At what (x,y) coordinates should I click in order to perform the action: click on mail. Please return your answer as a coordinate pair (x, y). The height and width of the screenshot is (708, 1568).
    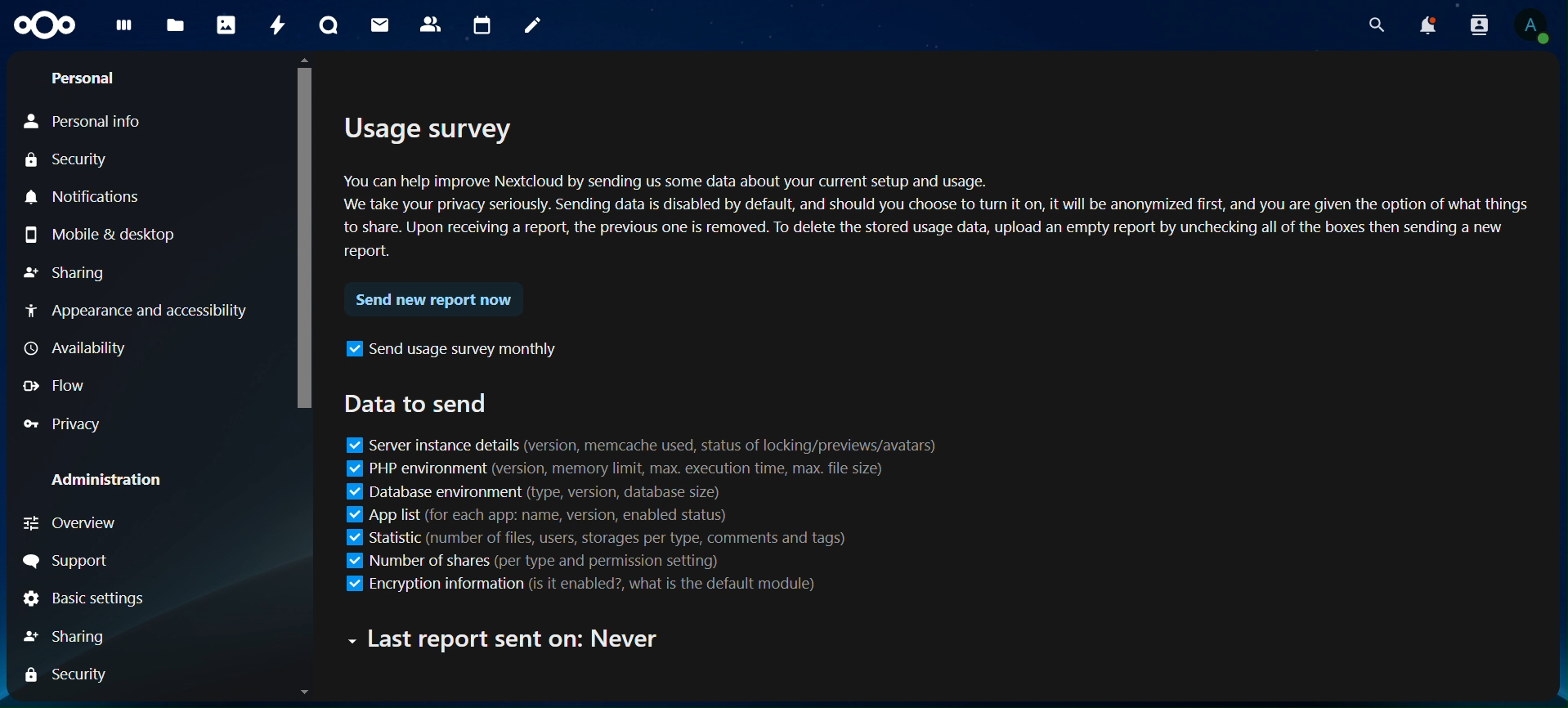
    Looking at the image, I should click on (380, 25).